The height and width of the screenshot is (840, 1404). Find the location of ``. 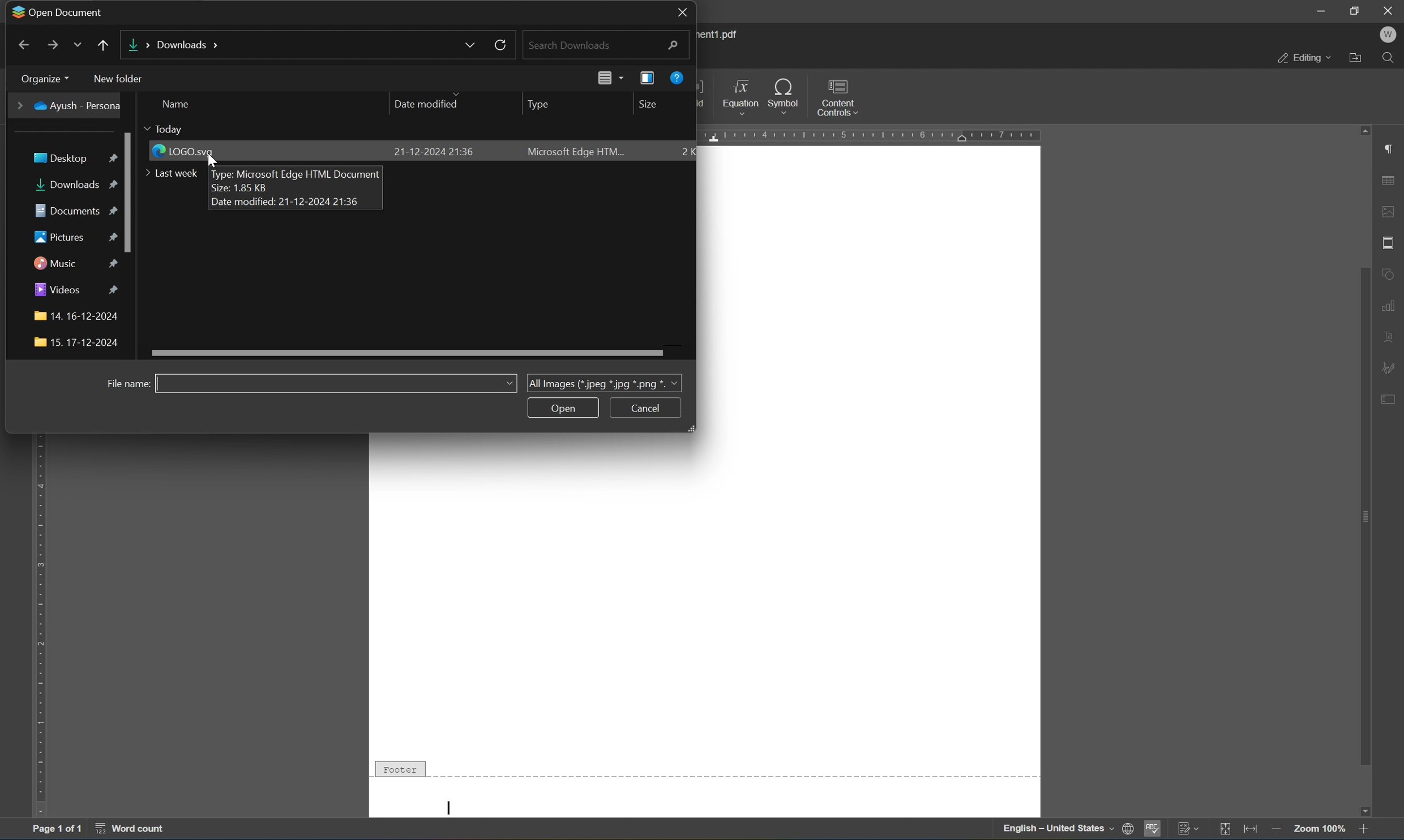

 is located at coordinates (1371, 809).